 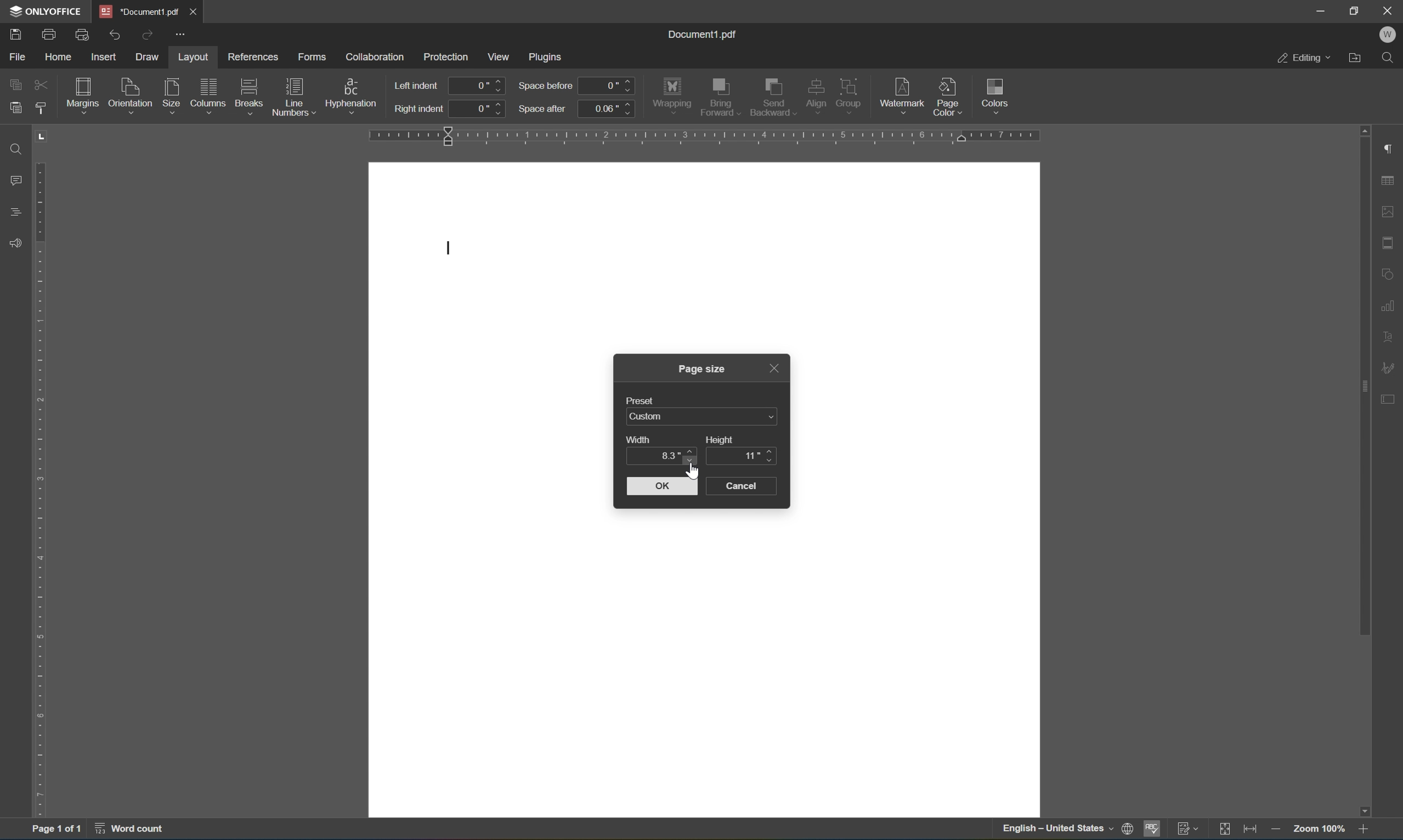 What do you see at coordinates (1362, 830) in the screenshot?
I see `zoom in` at bounding box center [1362, 830].